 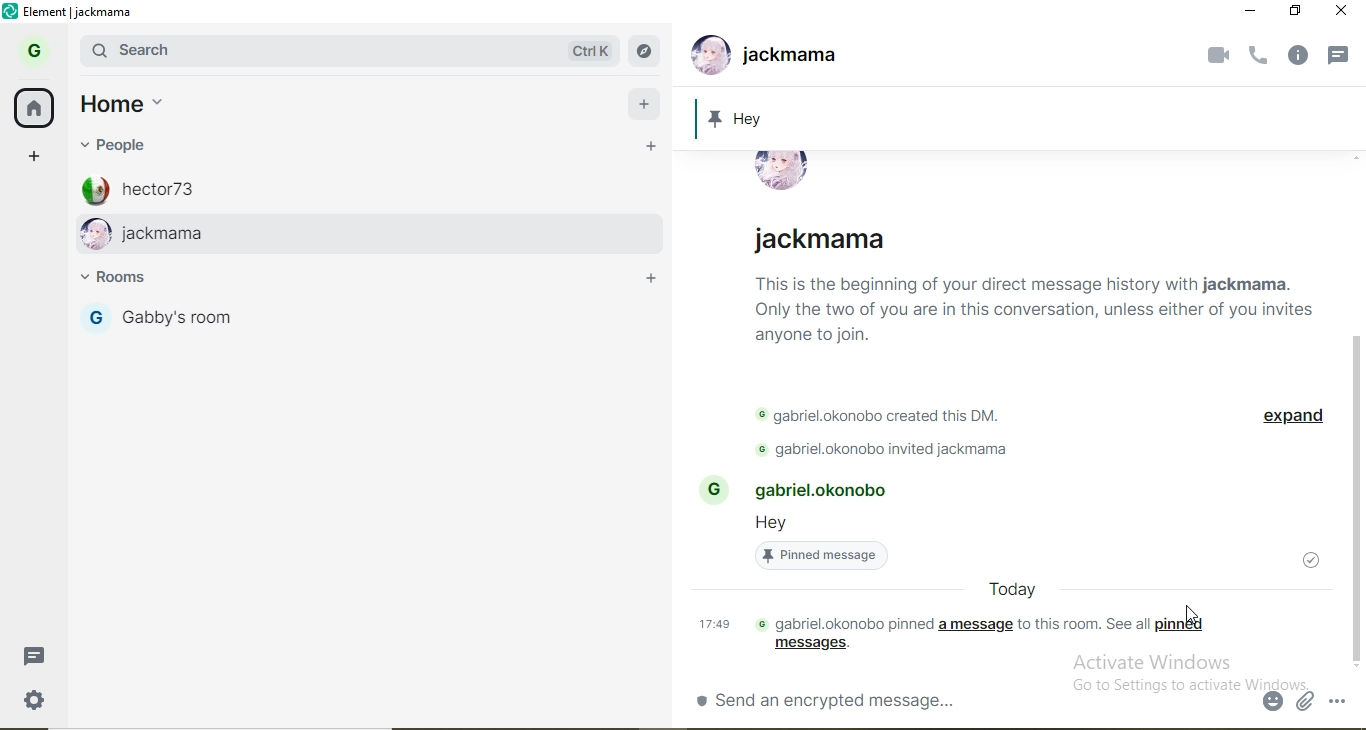 What do you see at coordinates (10, 14) in the screenshot?
I see `logo` at bounding box center [10, 14].